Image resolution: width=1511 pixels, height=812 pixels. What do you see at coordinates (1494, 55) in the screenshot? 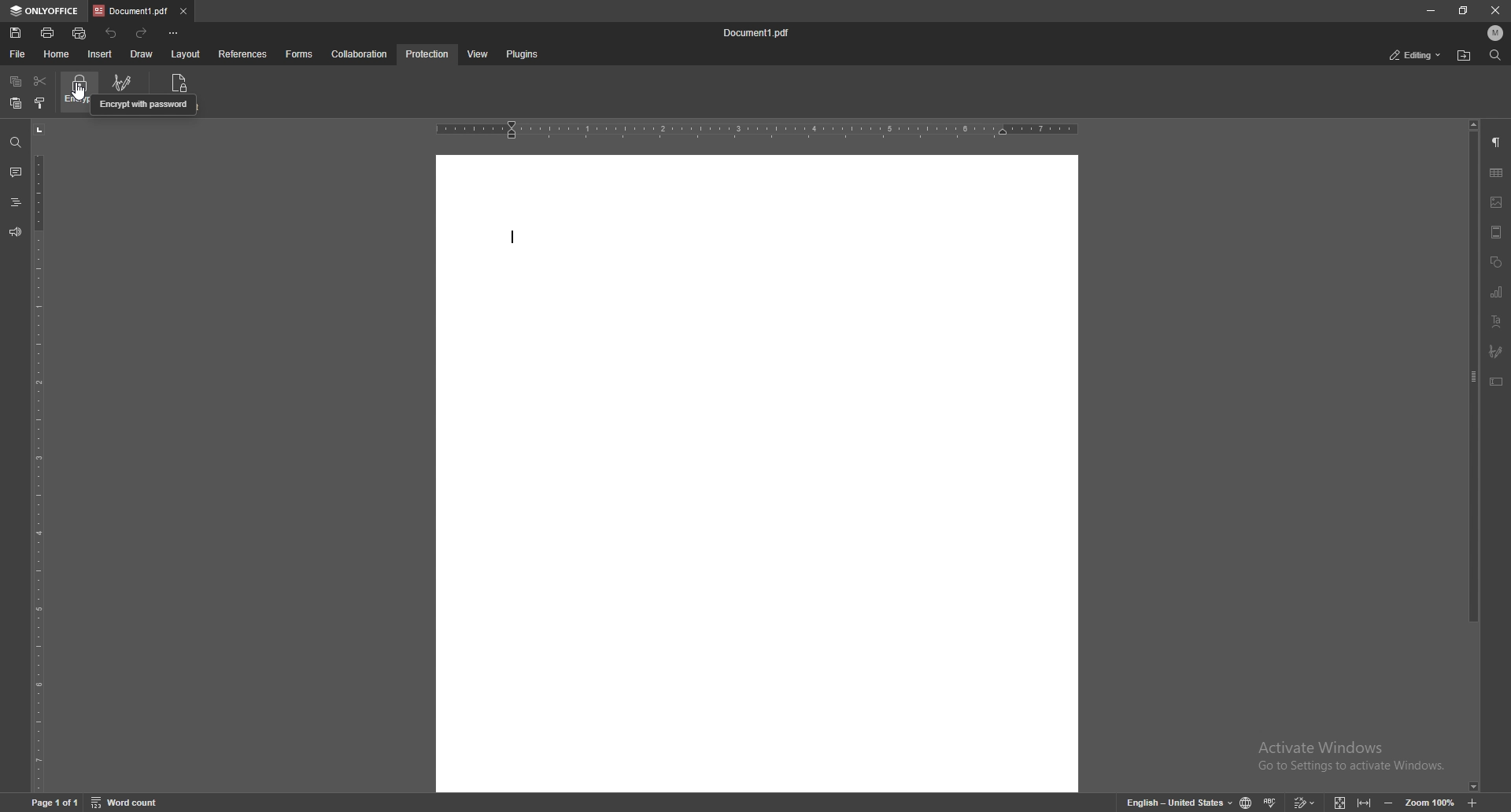
I see `find` at bounding box center [1494, 55].